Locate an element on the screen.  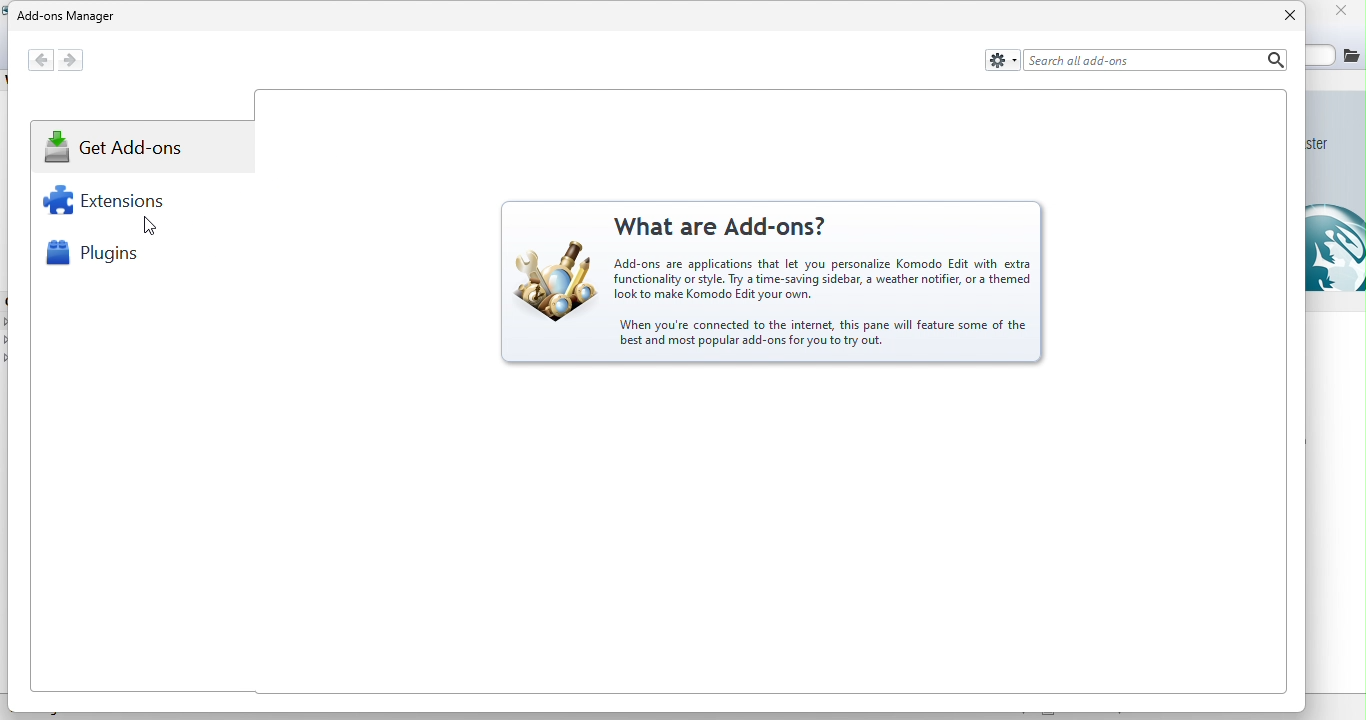
setting is located at coordinates (1001, 58).